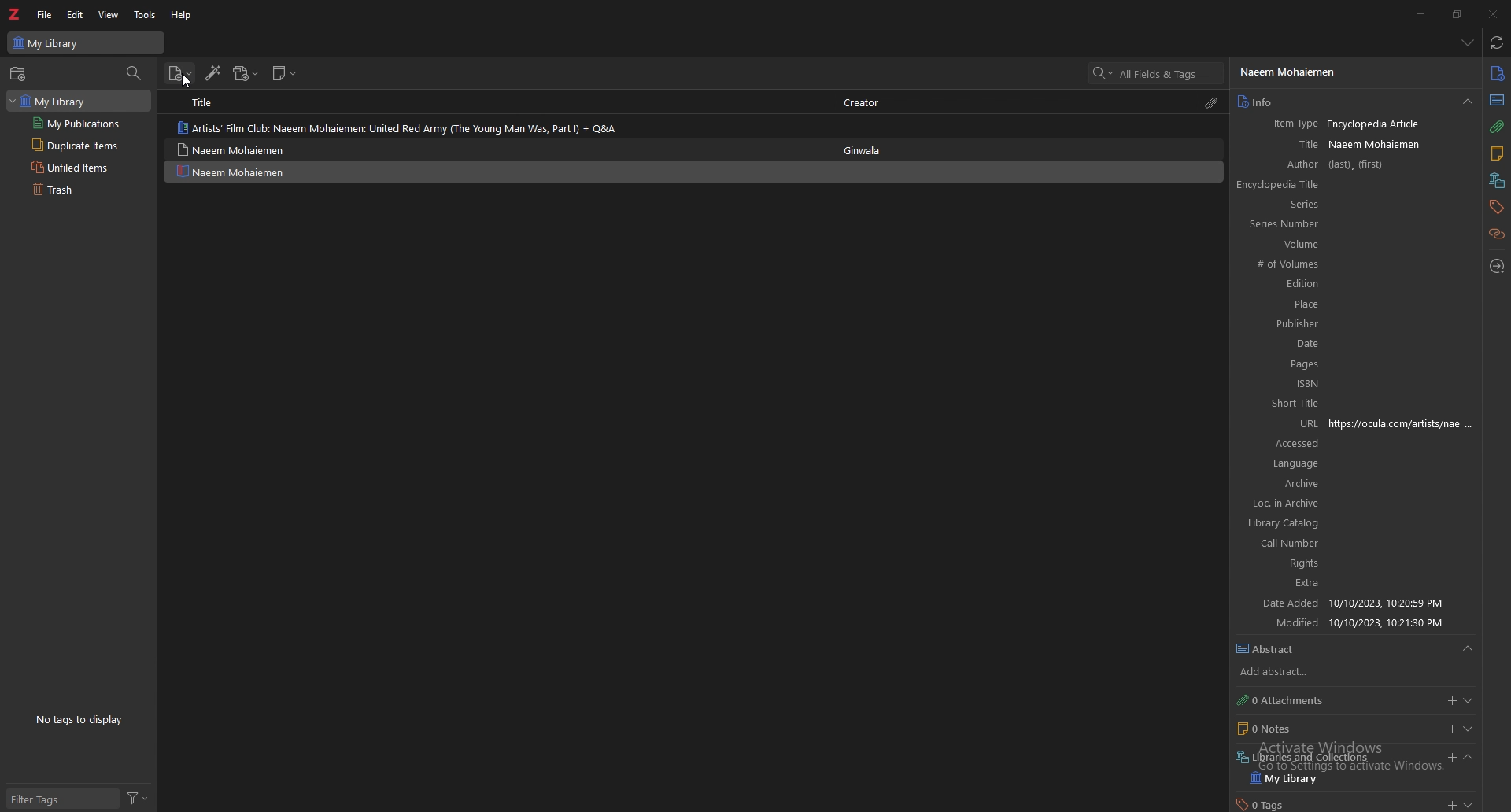  What do you see at coordinates (1497, 154) in the screenshot?
I see `notes` at bounding box center [1497, 154].